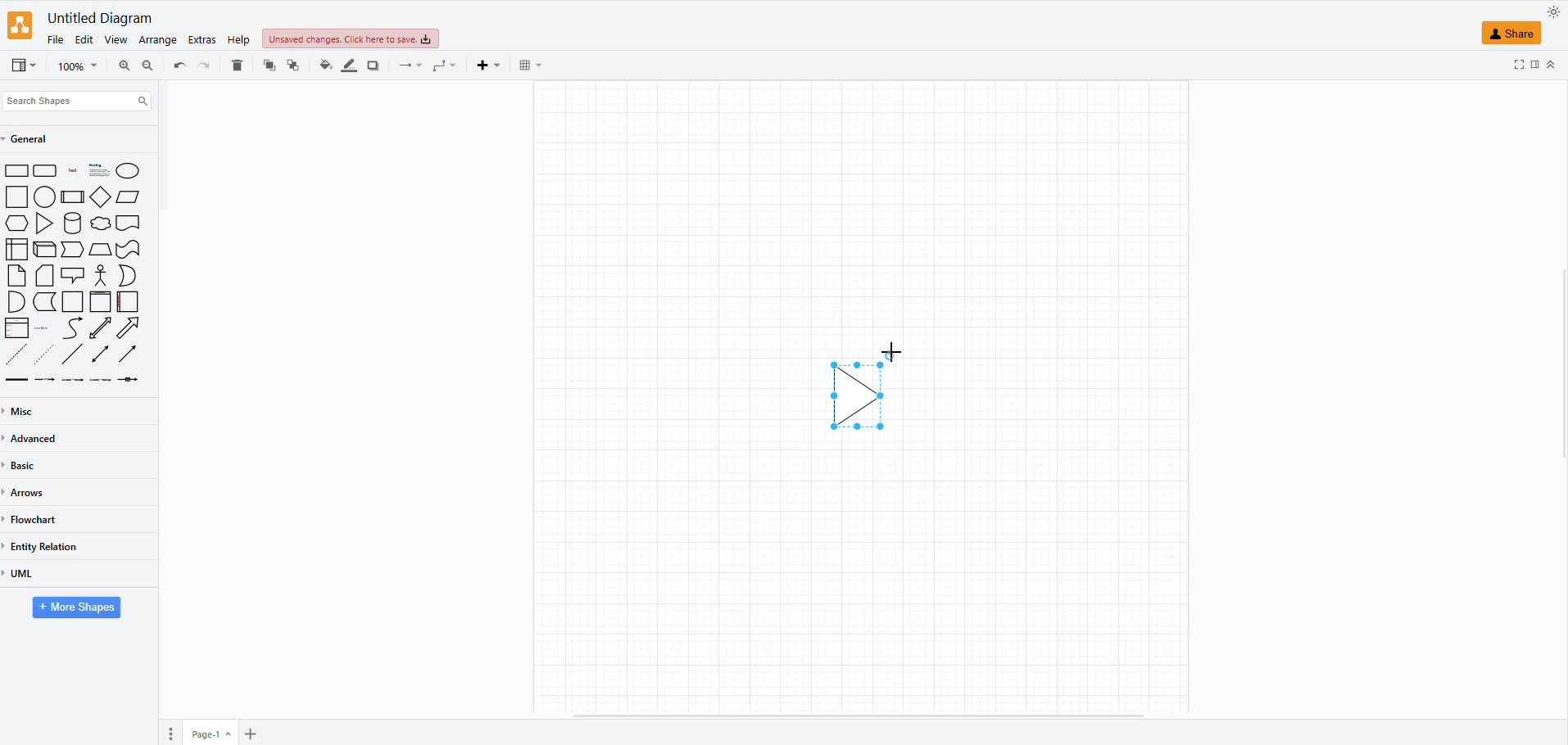  What do you see at coordinates (97, 17) in the screenshot?
I see `file name` at bounding box center [97, 17].